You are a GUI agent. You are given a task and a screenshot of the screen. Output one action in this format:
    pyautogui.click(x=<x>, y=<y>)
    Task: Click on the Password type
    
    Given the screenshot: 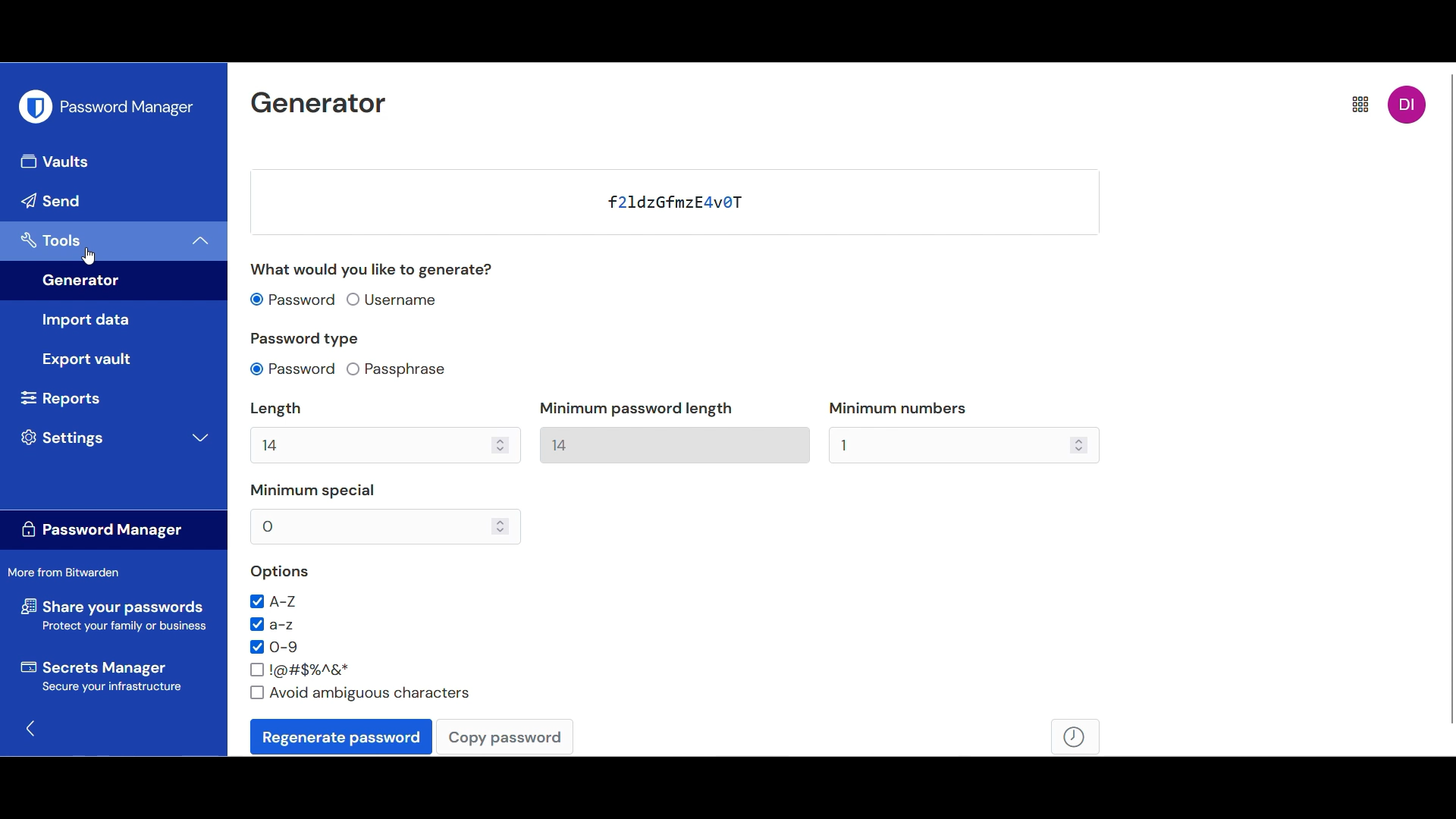 What is the action you would take?
    pyautogui.click(x=306, y=339)
    